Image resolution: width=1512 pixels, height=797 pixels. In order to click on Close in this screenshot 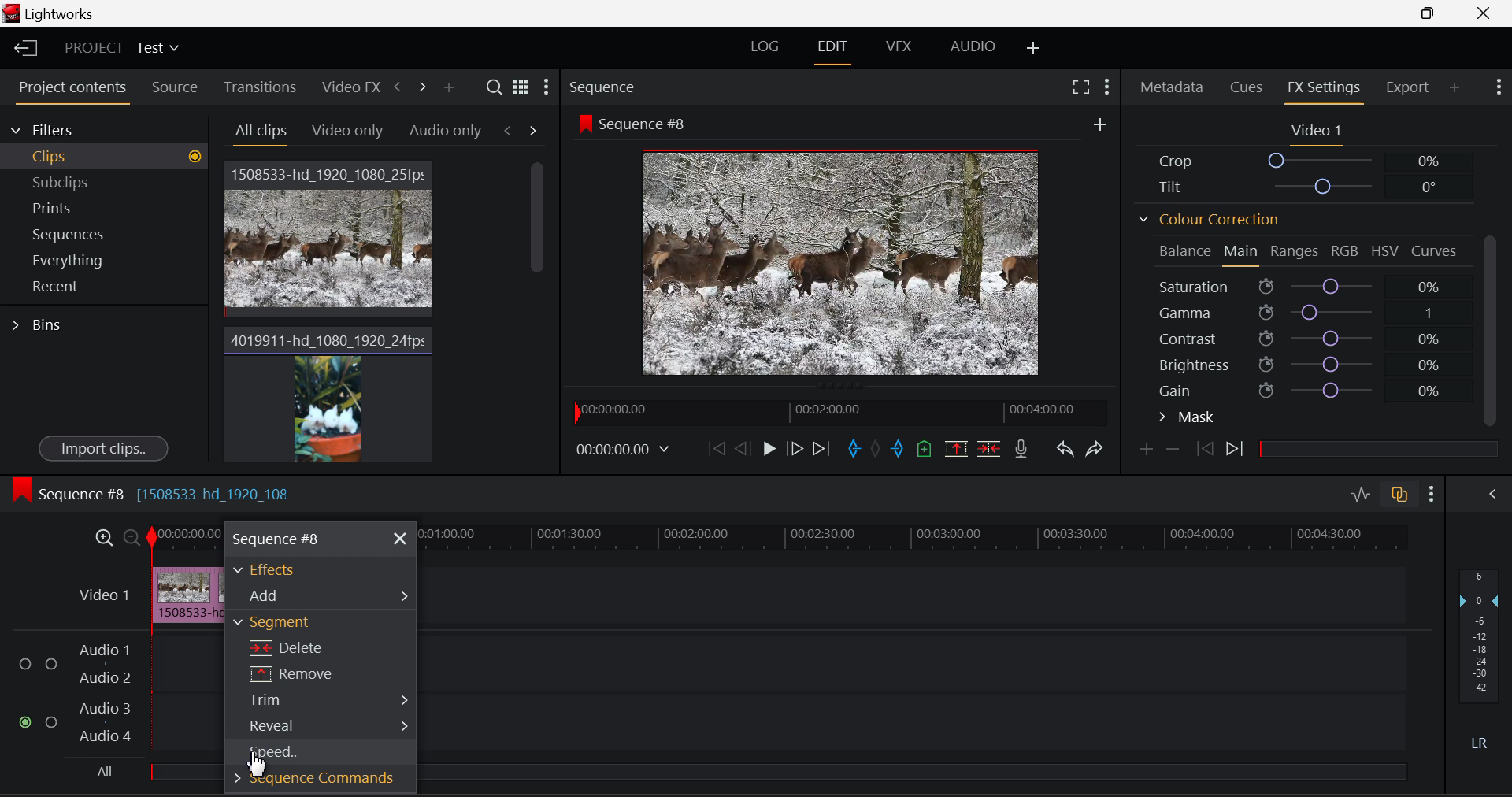, I will do `click(1484, 13)`.